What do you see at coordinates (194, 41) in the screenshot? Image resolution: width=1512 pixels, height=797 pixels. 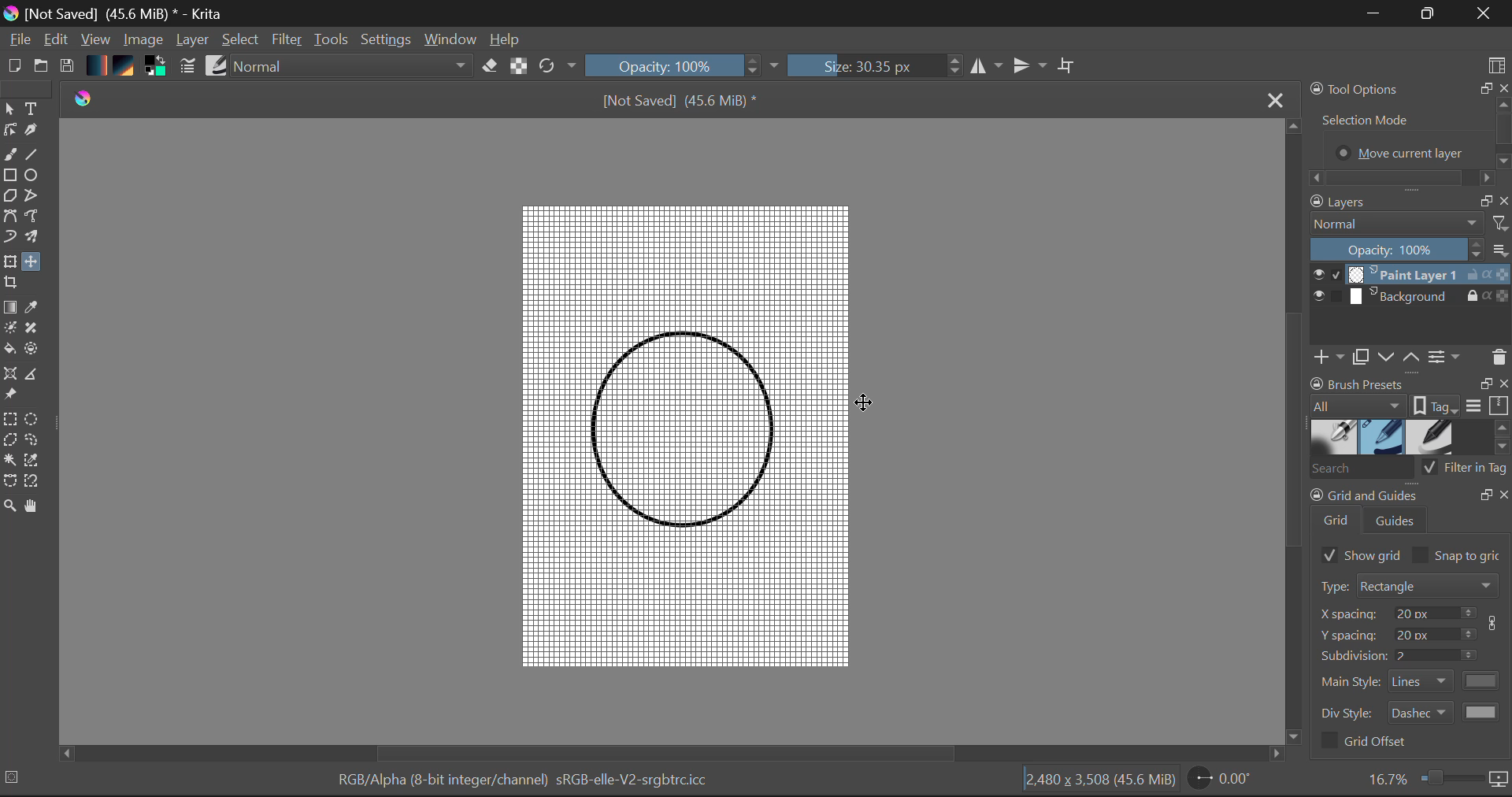 I see `Layer` at bounding box center [194, 41].